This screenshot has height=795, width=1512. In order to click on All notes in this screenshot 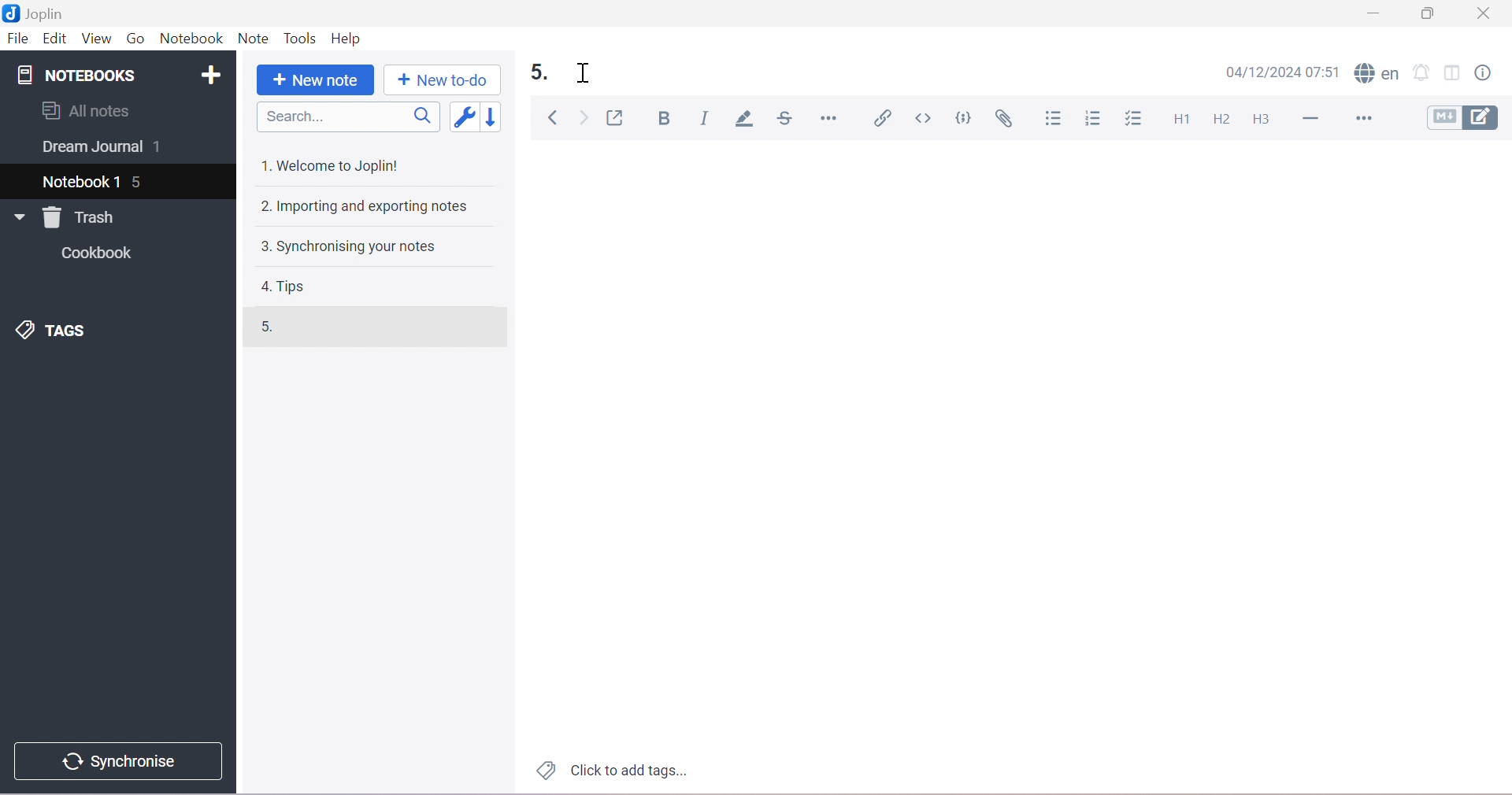, I will do `click(86, 110)`.